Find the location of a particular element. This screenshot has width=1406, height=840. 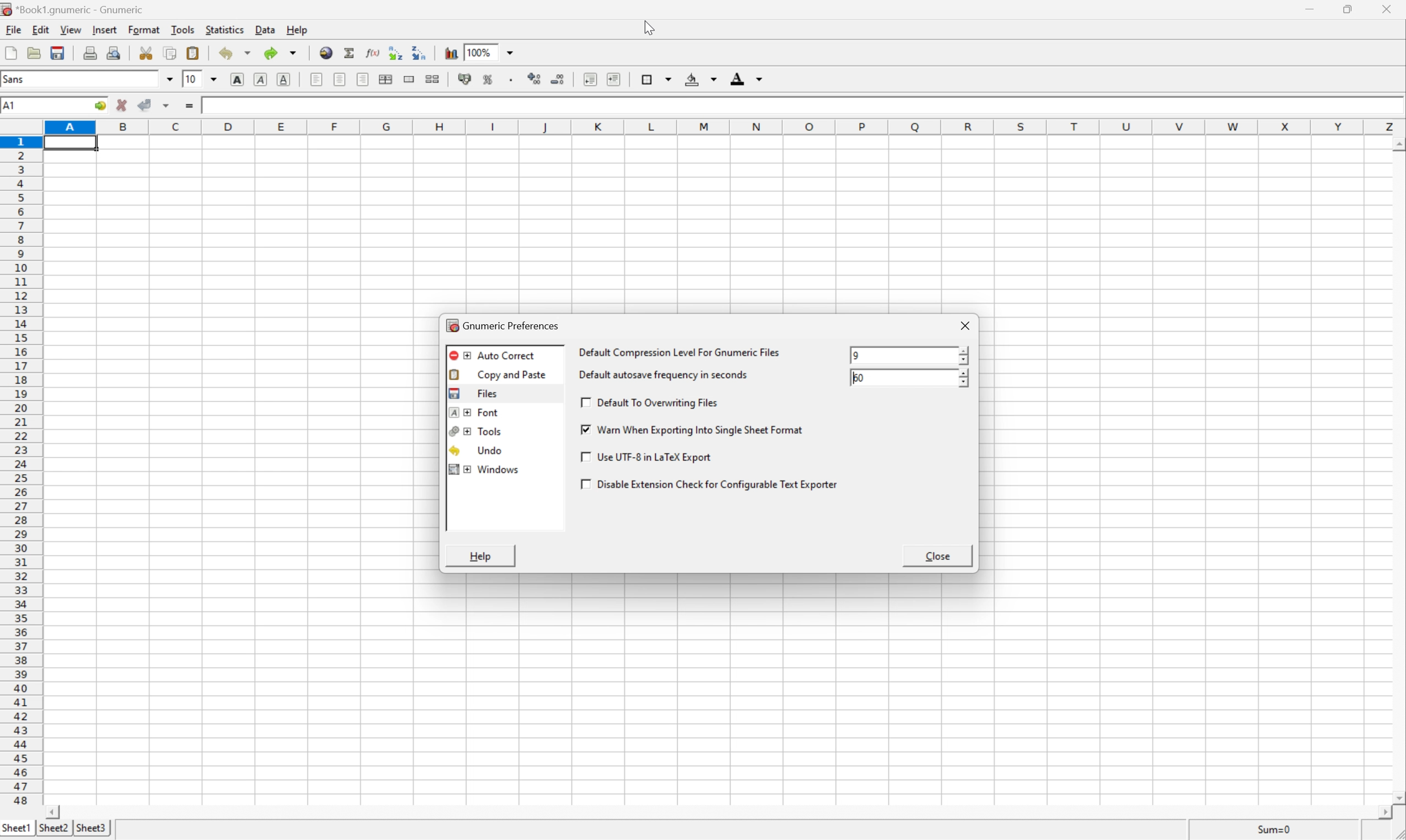

borders is located at coordinates (656, 79).